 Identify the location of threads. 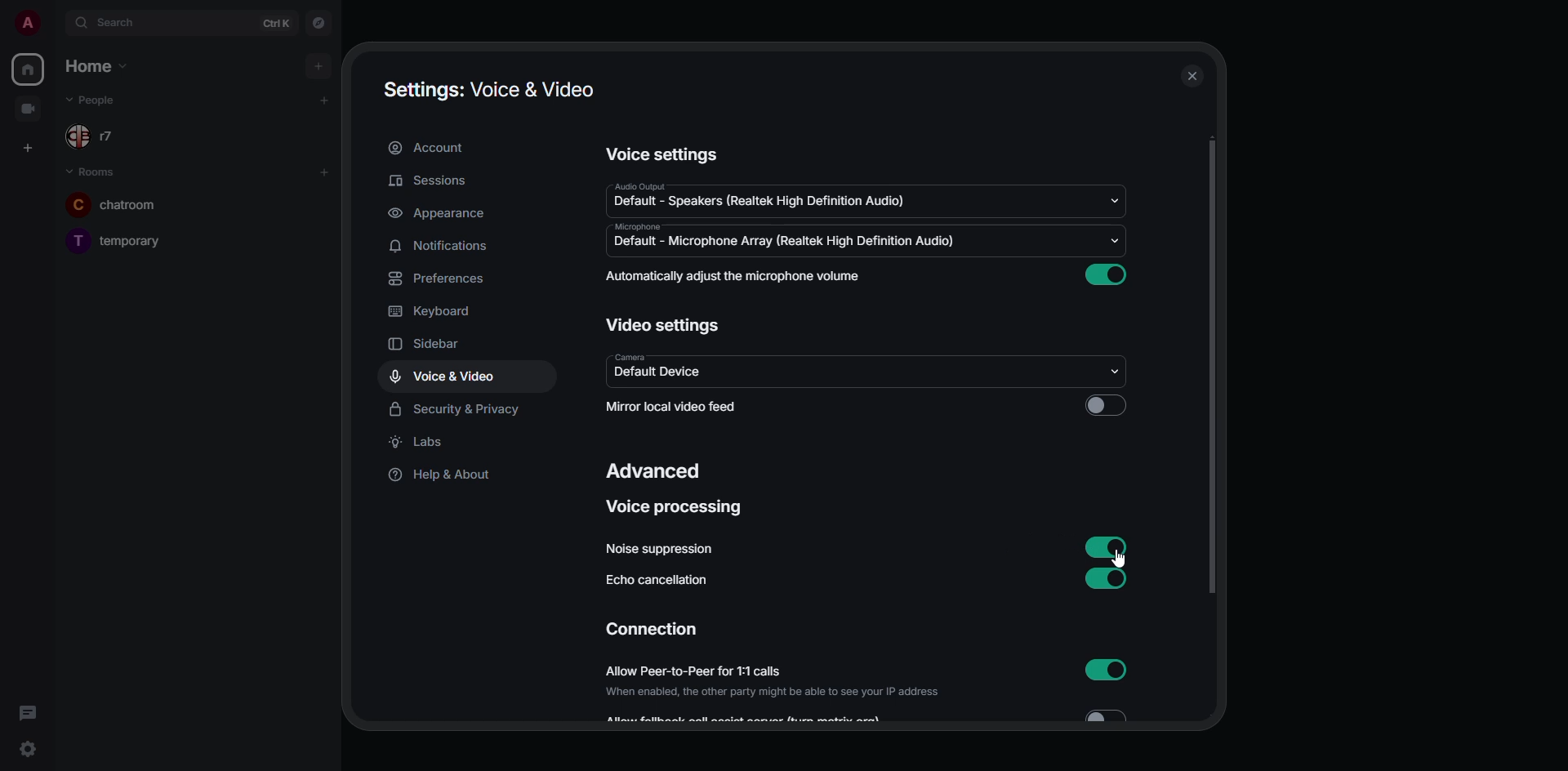
(28, 713).